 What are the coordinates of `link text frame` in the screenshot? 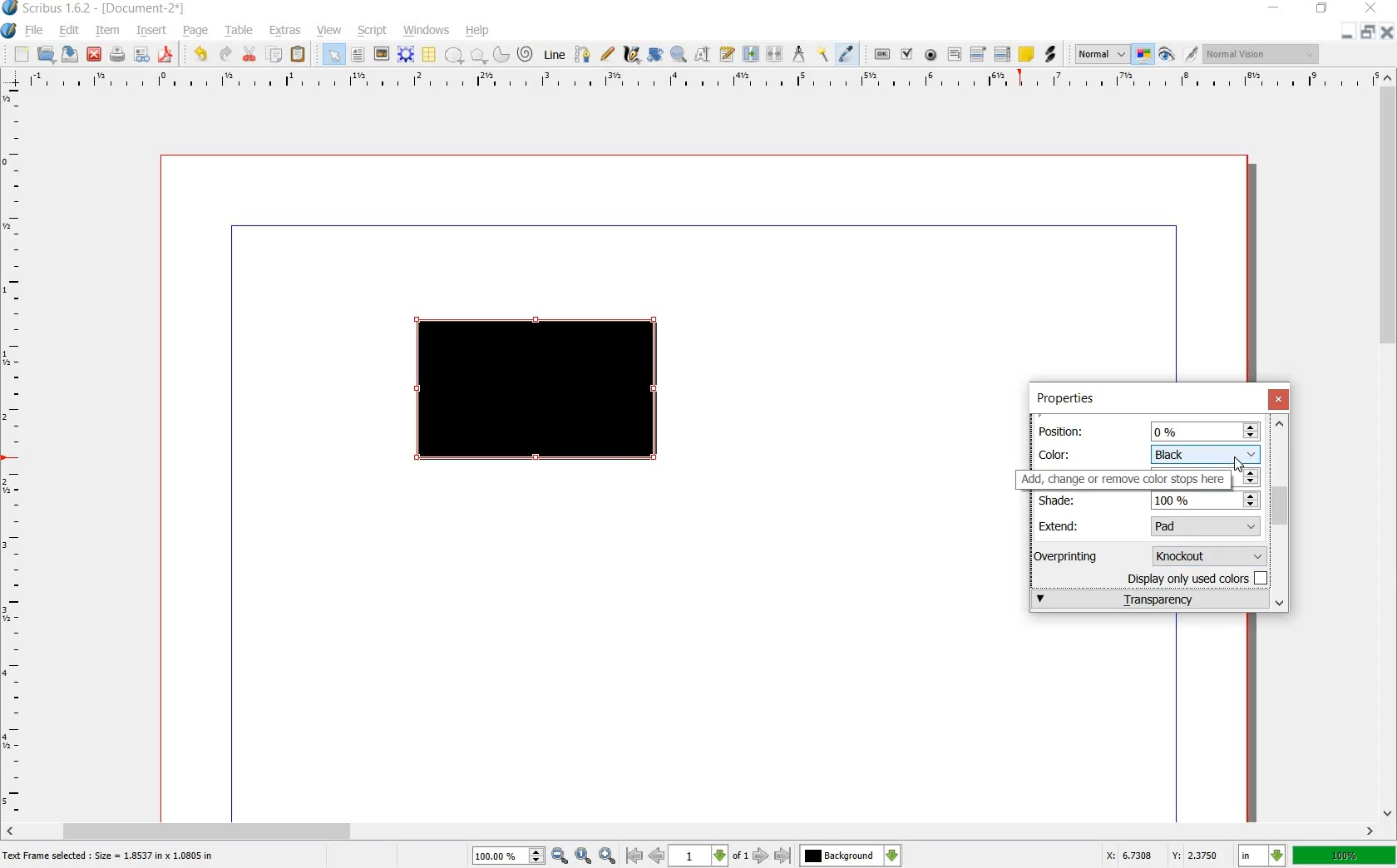 It's located at (750, 55).